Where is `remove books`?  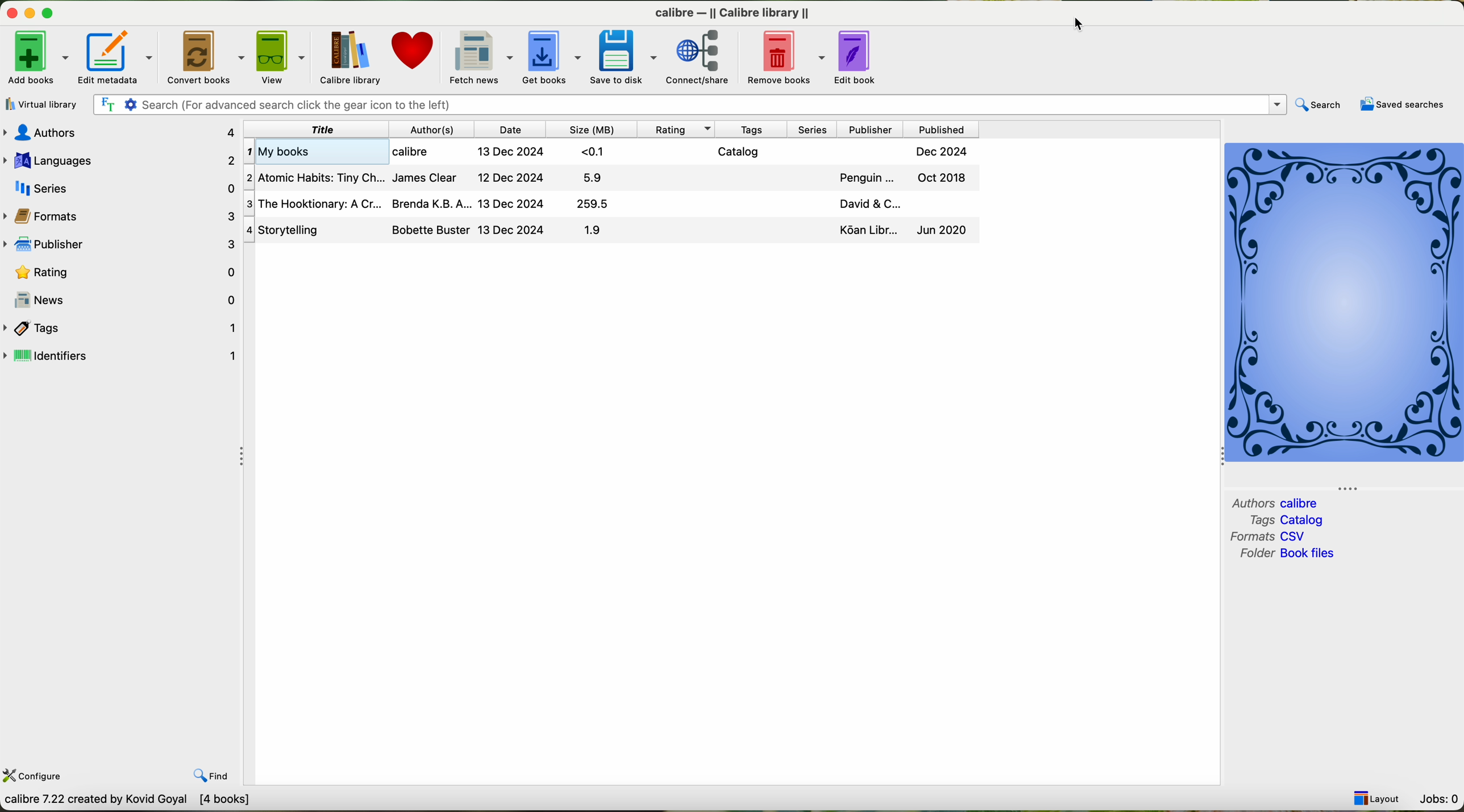
remove books is located at coordinates (787, 57).